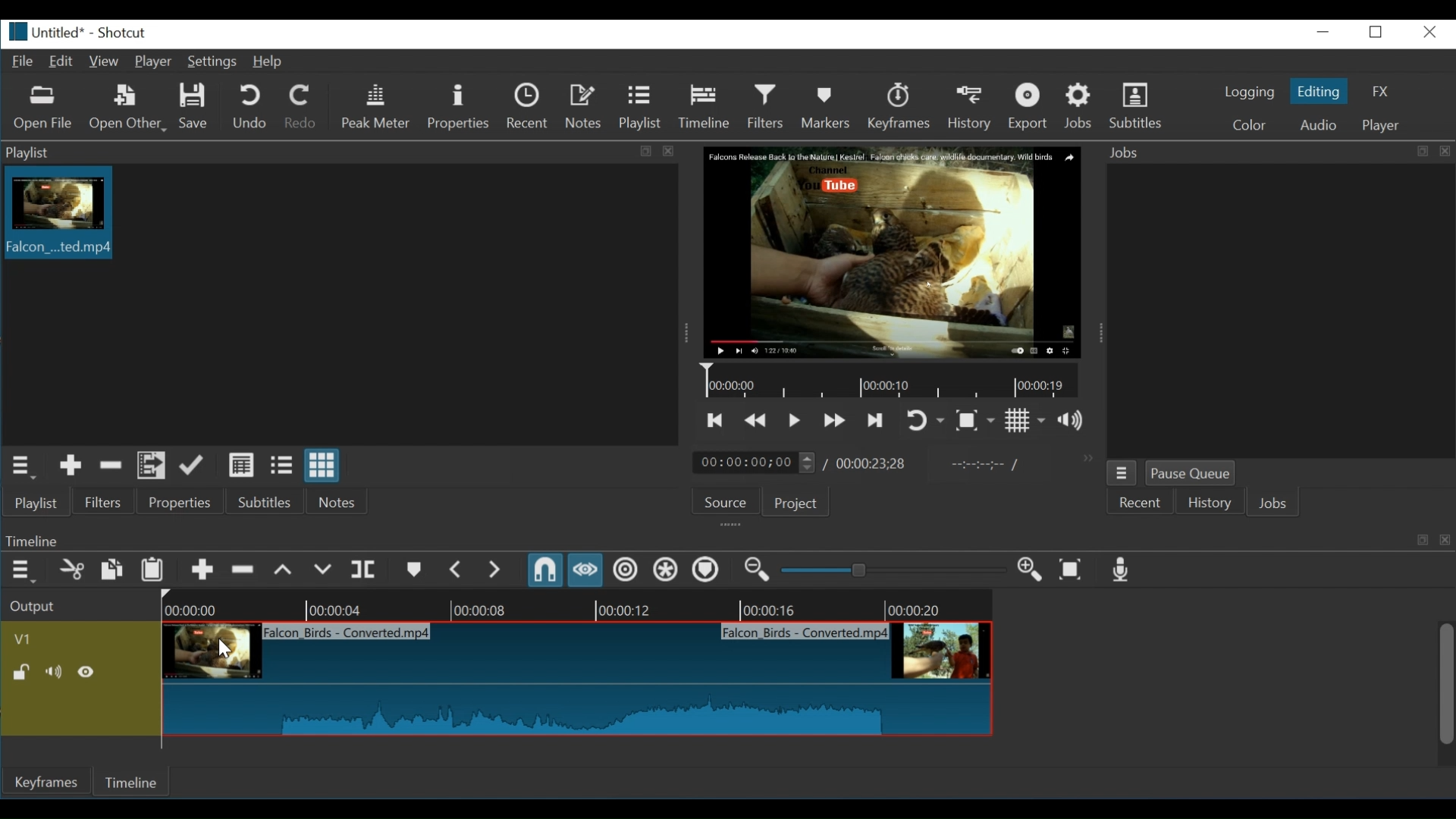 The width and height of the screenshot is (1456, 819). What do you see at coordinates (1447, 686) in the screenshot?
I see `Vertical Scroll bar` at bounding box center [1447, 686].